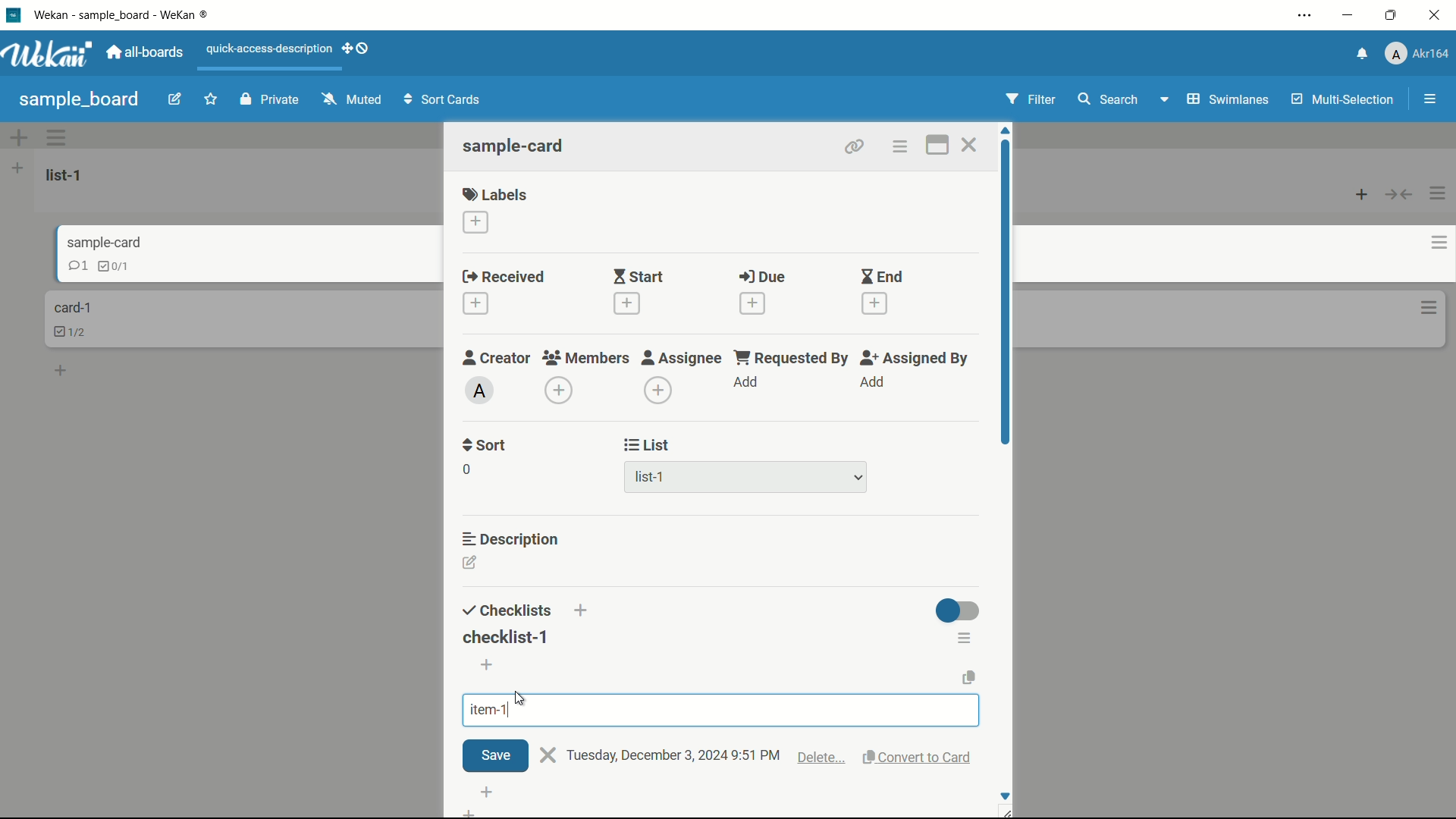 This screenshot has height=819, width=1456. Describe the element at coordinates (466, 469) in the screenshot. I see `0` at that location.